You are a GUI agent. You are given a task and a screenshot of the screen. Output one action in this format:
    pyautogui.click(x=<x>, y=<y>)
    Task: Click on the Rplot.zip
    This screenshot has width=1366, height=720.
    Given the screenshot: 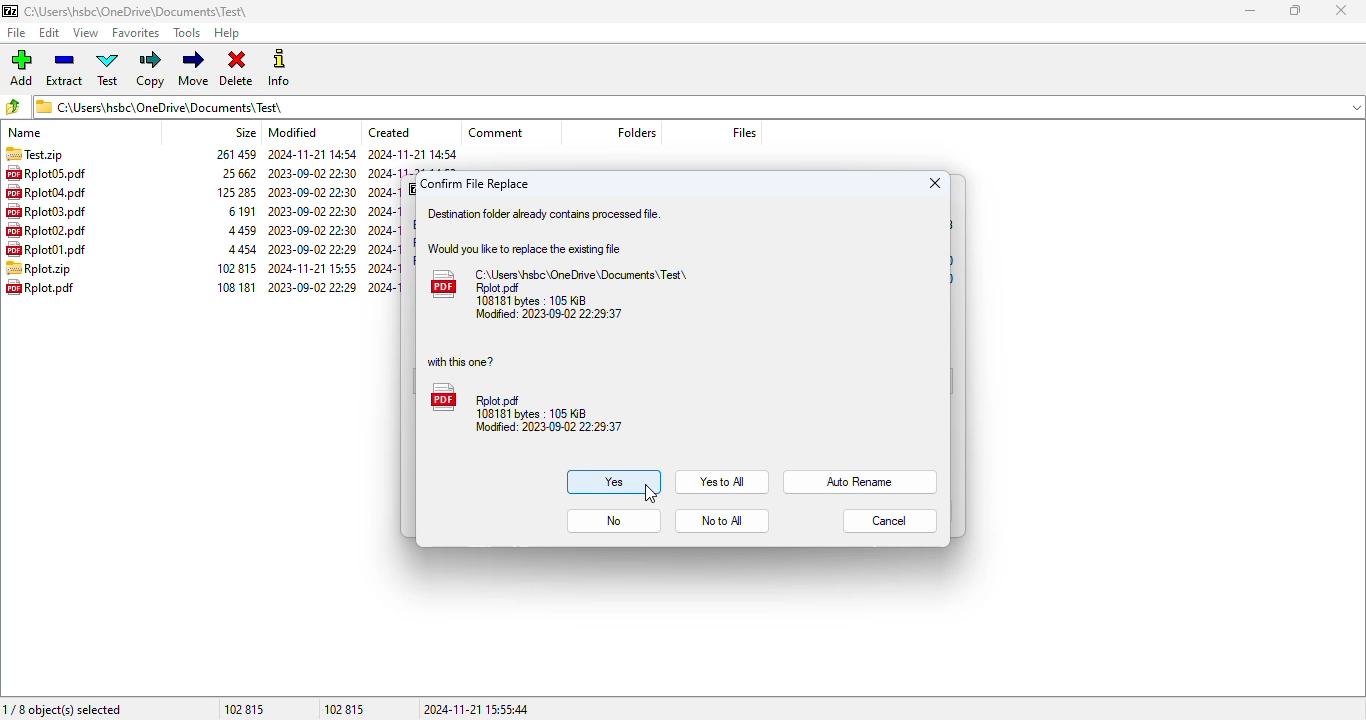 What is the action you would take?
    pyautogui.click(x=59, y=270)
    